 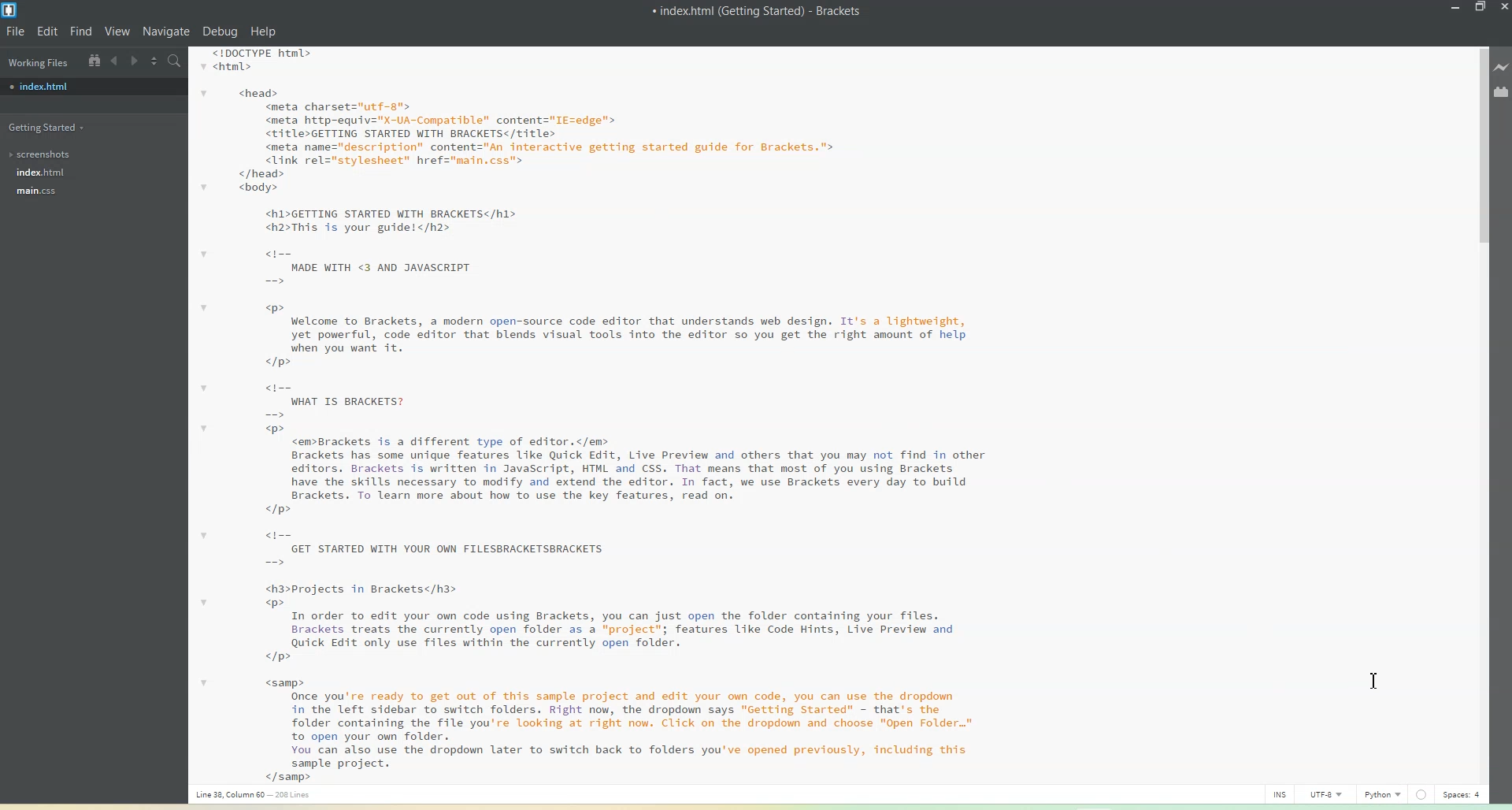 I want to click on Maximize, so click(x=1481, y=8).